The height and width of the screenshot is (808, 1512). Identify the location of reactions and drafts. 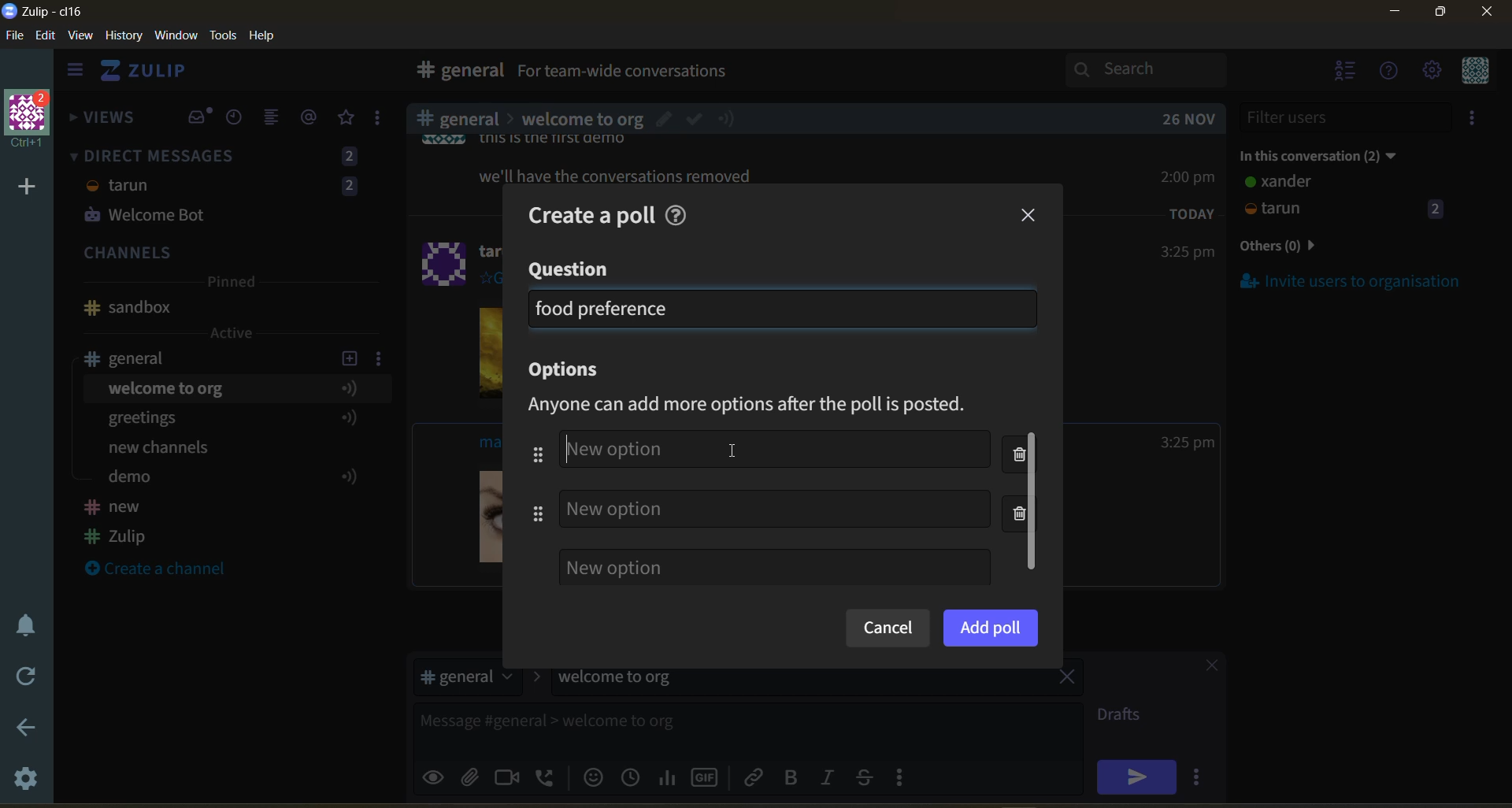
(384, 121).